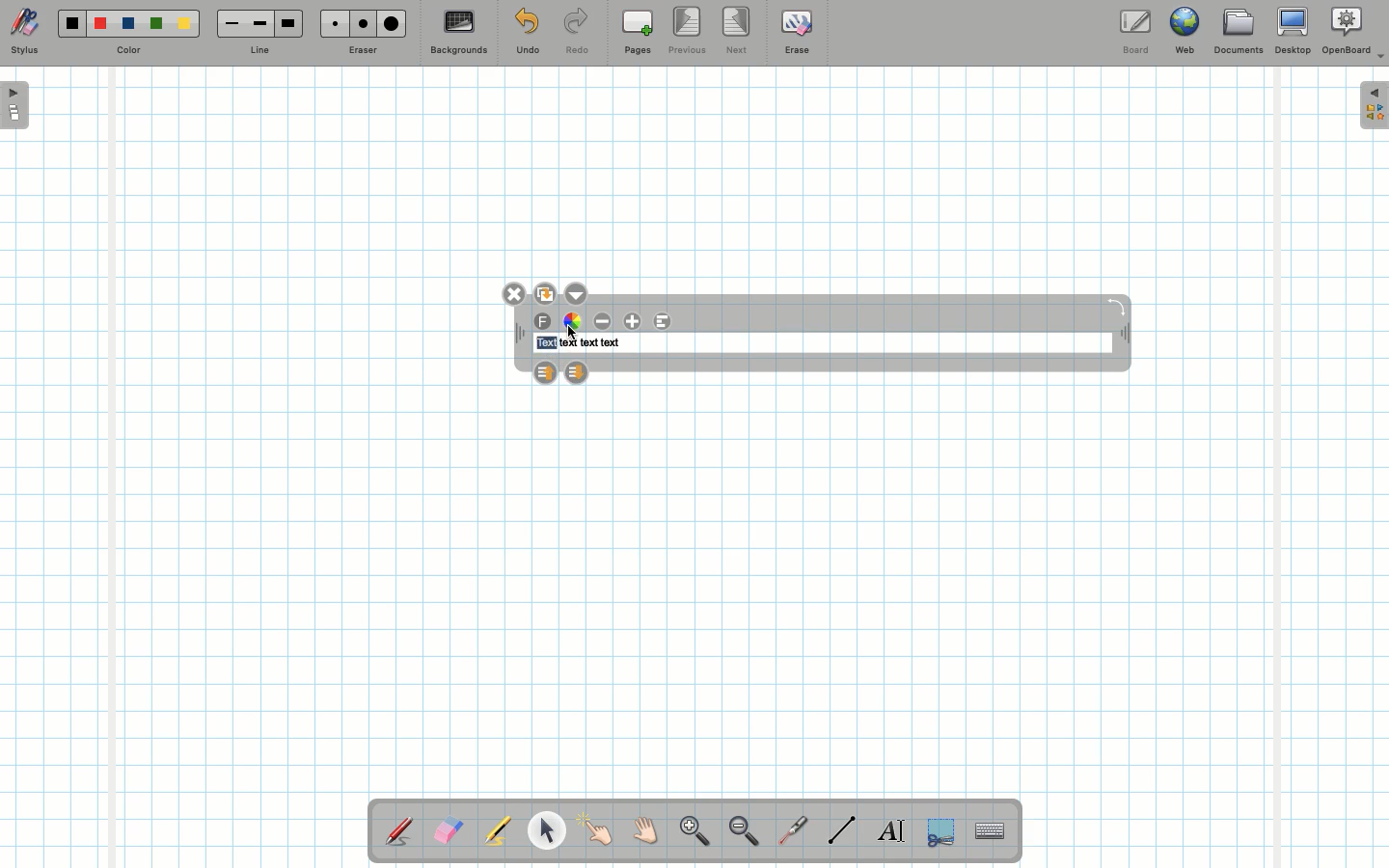 Image resolution: width=1389 pixels, height=868 pixels. What do you see at coordinates (496, 832) in the screenshot?
I see `Highlighter` at bounding box center [496, 832].